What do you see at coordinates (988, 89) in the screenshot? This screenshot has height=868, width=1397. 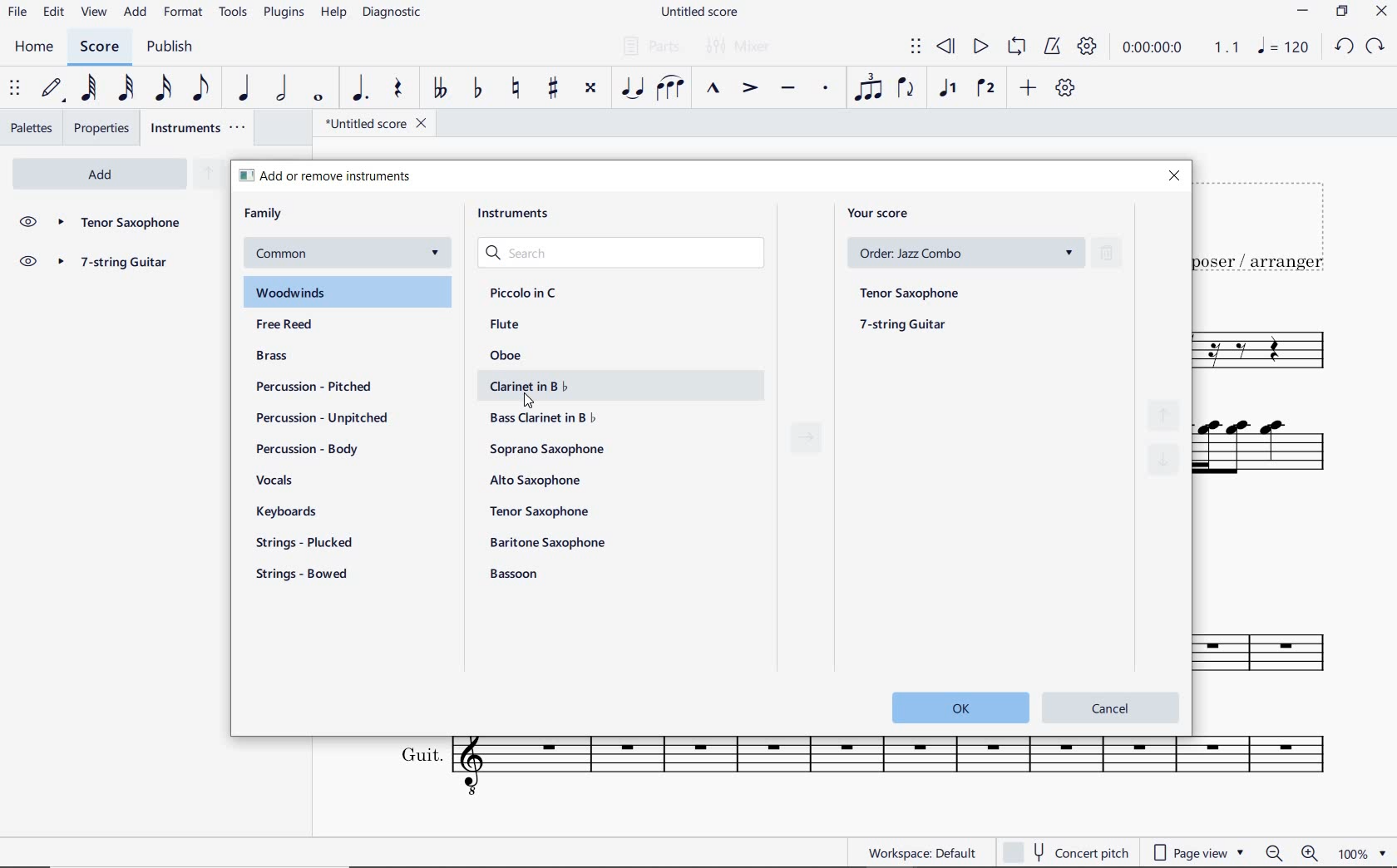 I see `VOICE 2` at bounding box center [988, 89].